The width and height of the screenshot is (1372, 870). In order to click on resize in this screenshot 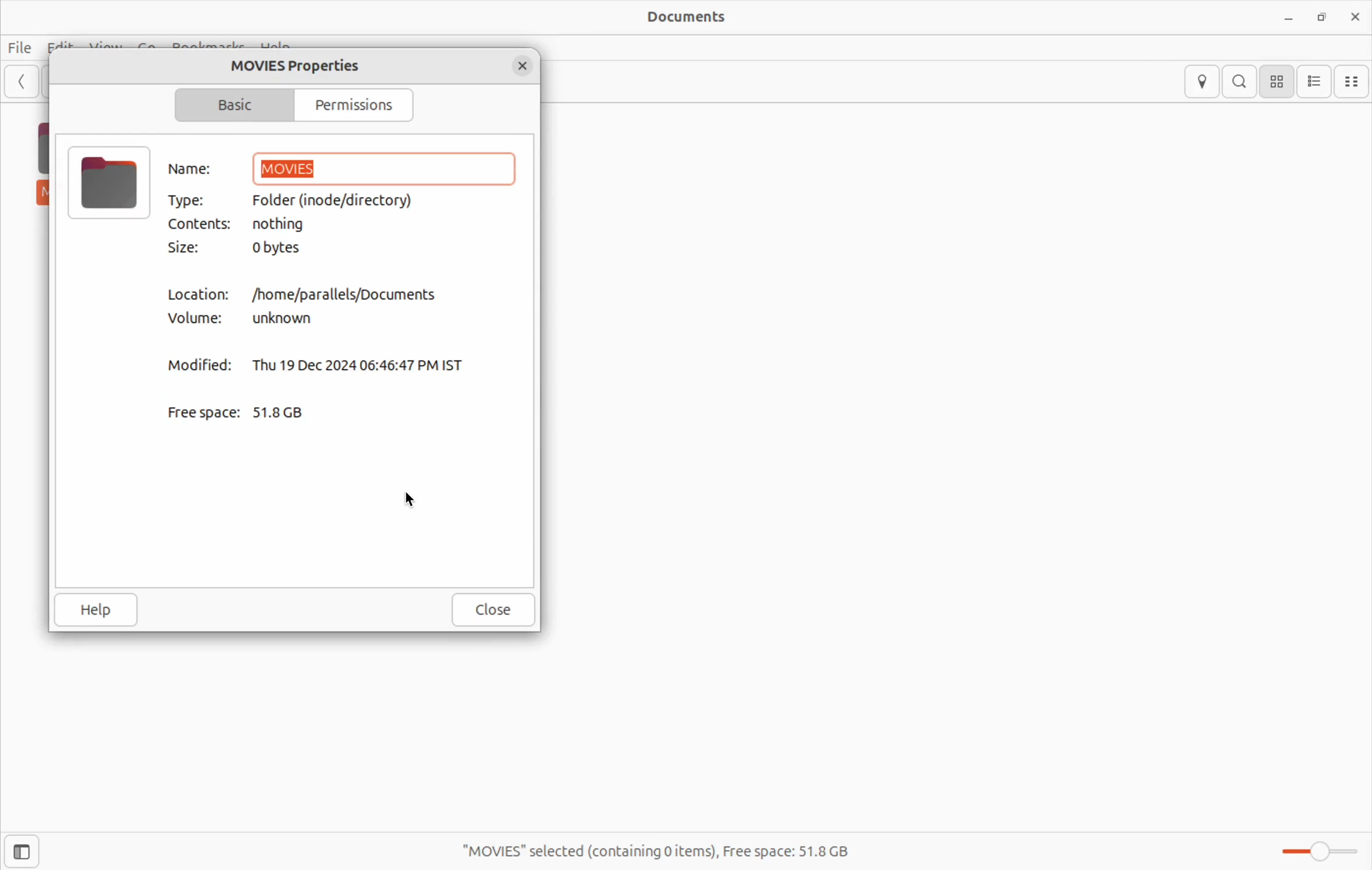, I will do `click(1321, 15)`.